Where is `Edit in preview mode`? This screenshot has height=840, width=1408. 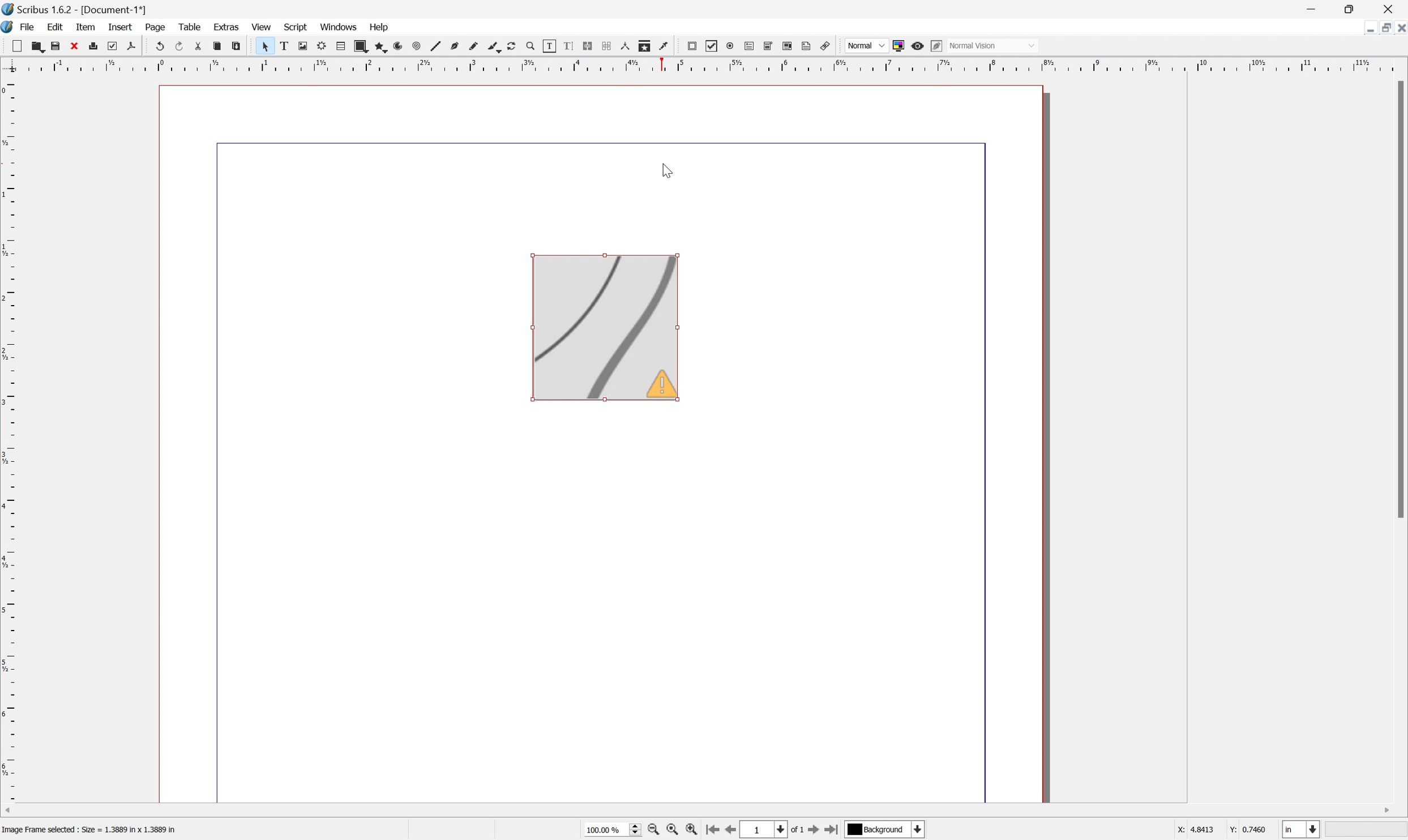
Edit in preview mode is located at coordinates (939, 45).